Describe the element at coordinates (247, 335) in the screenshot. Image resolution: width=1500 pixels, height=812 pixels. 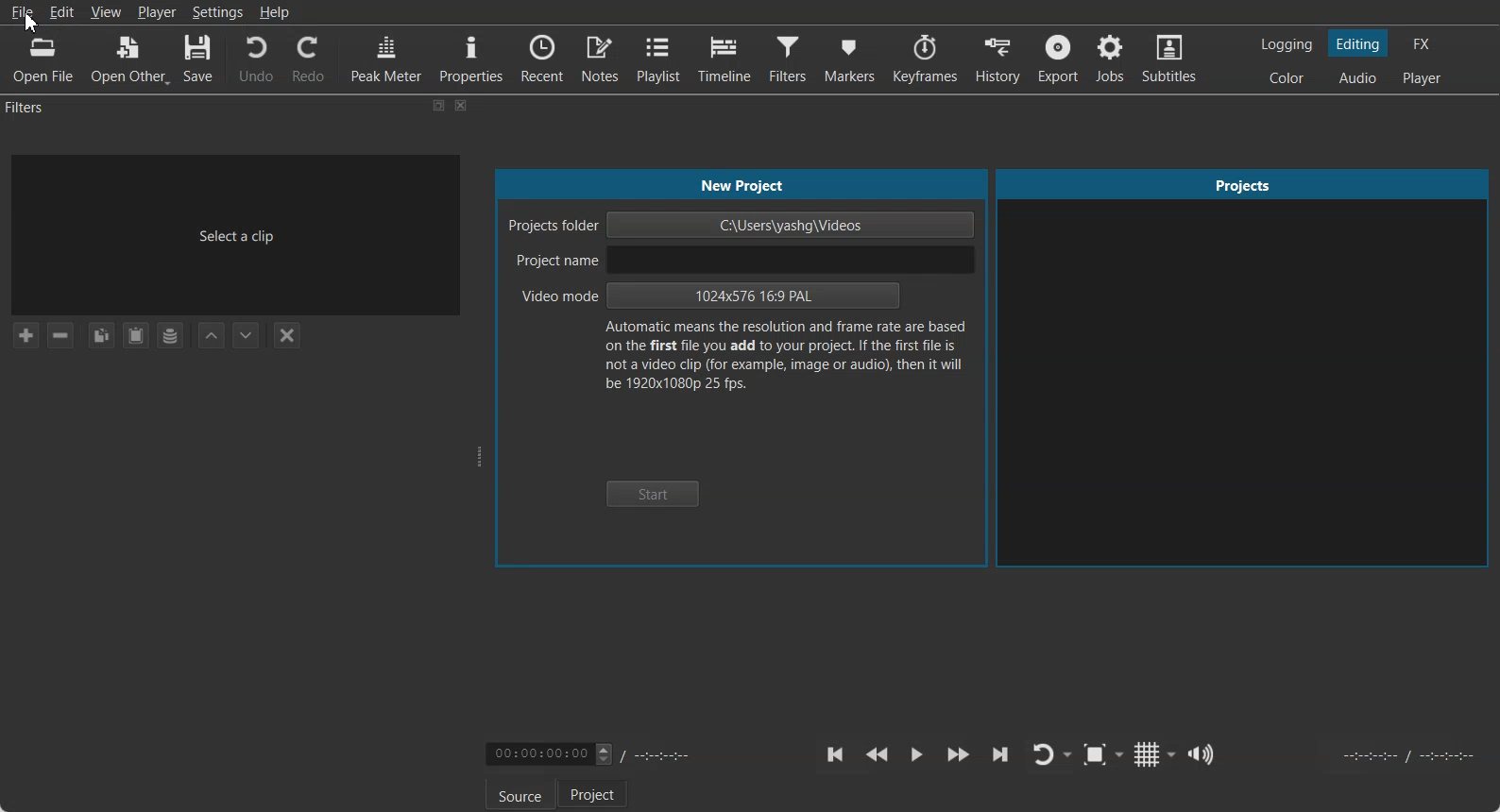
I see `Move filter Down` at that location.